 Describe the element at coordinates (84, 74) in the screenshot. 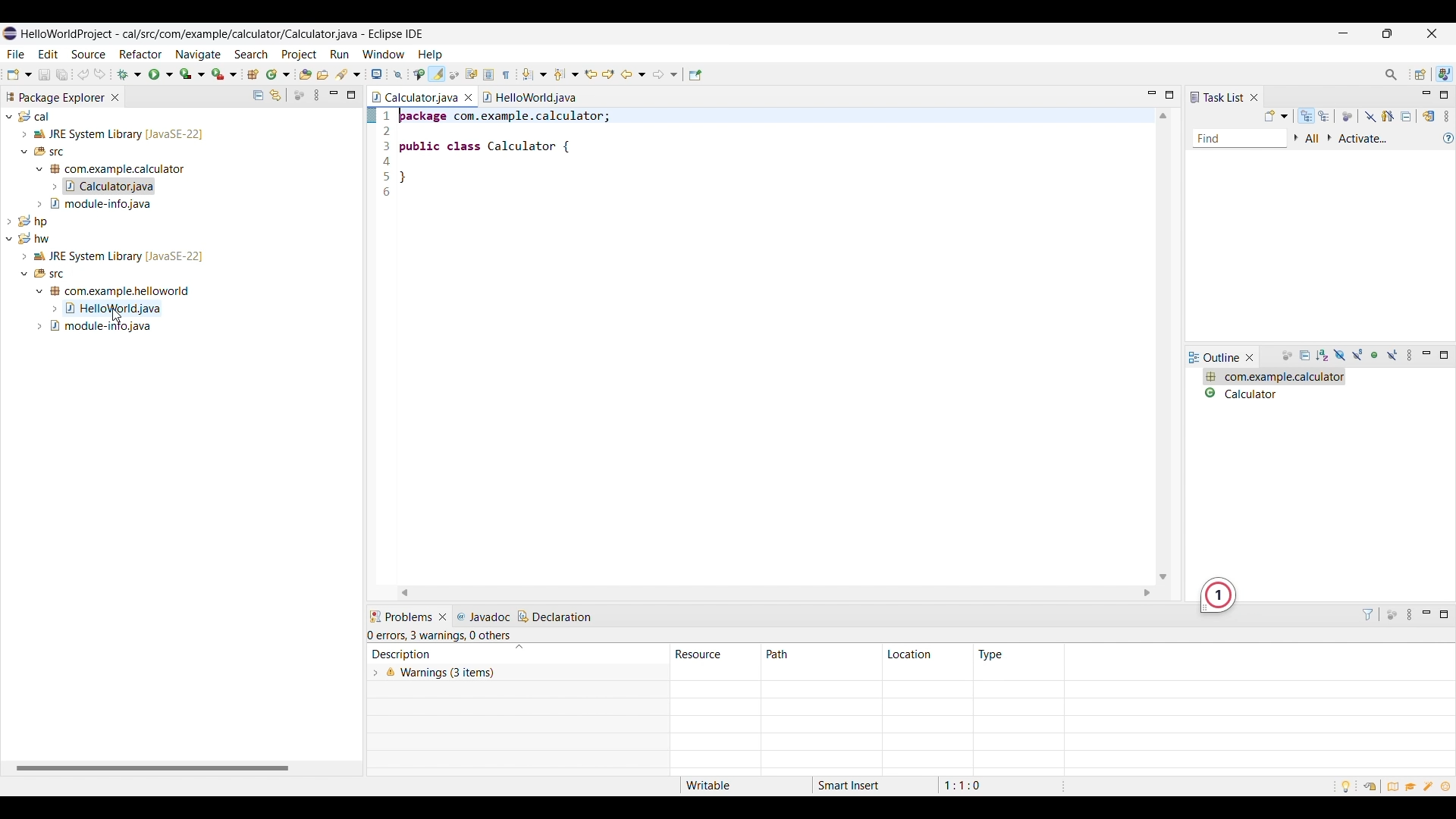

I see `Redo` at that location.